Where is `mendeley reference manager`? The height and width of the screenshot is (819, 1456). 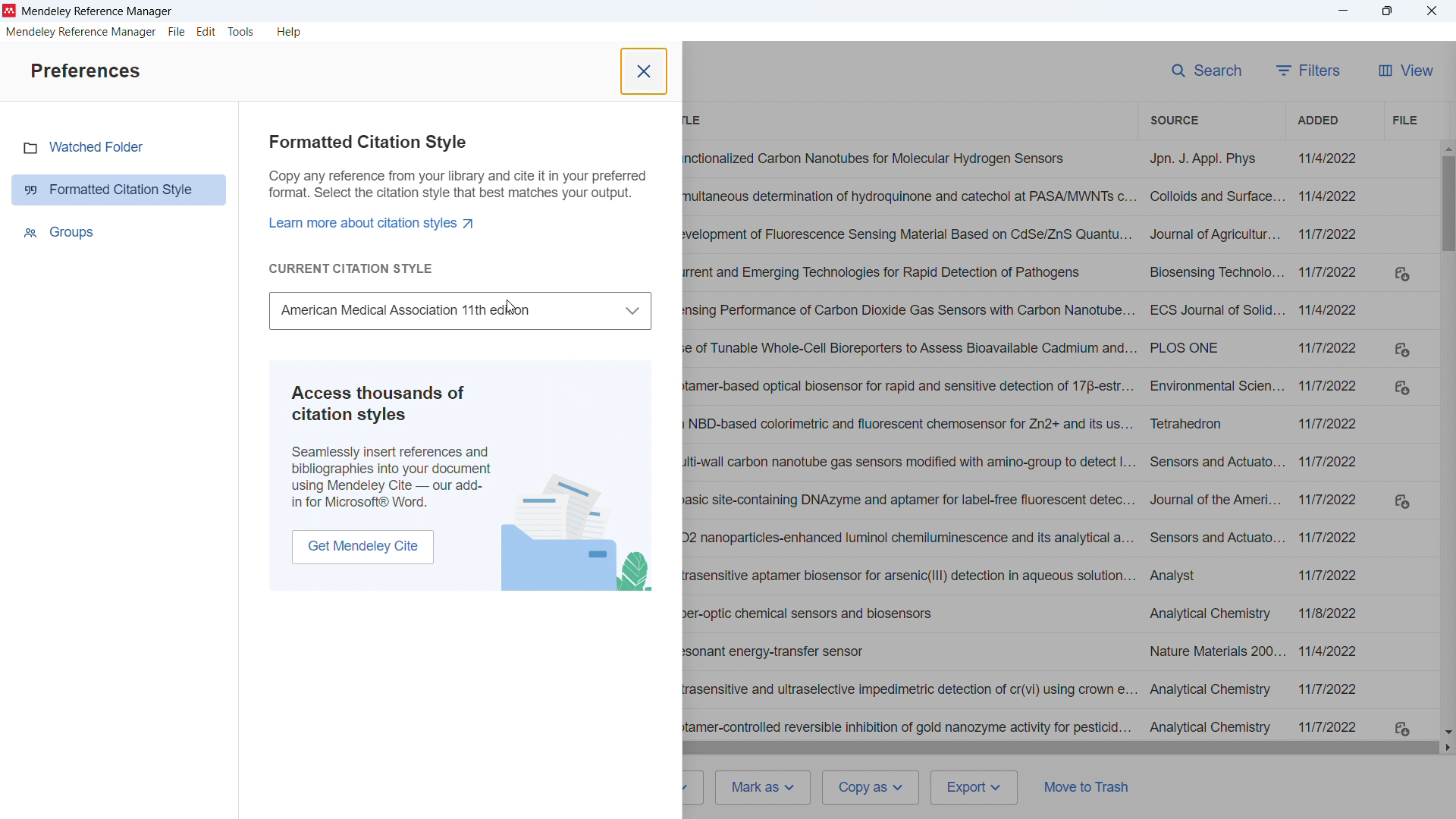
mendeley reference manager is located at coordinates (80, 32).